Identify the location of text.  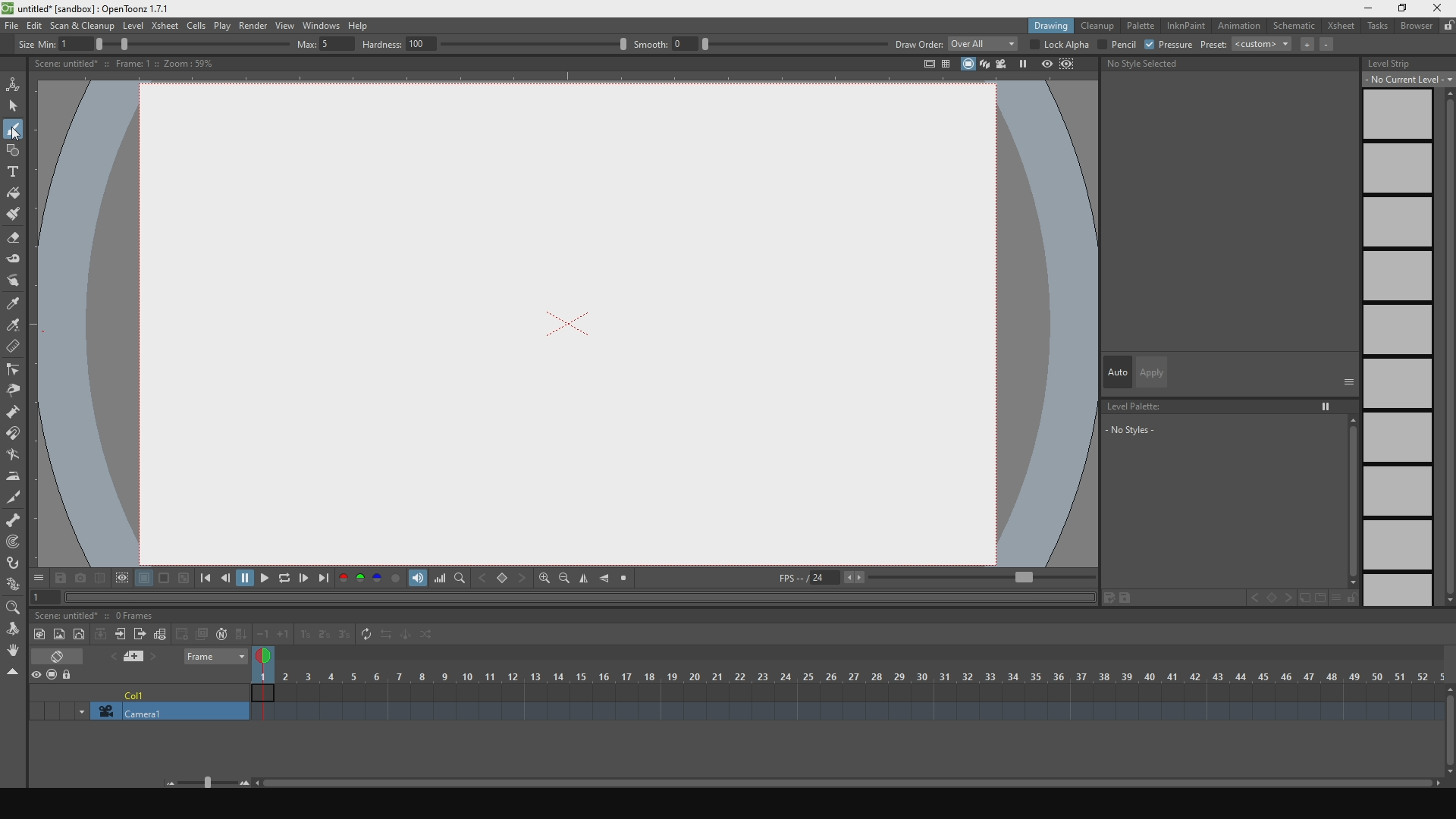
(14, 170).